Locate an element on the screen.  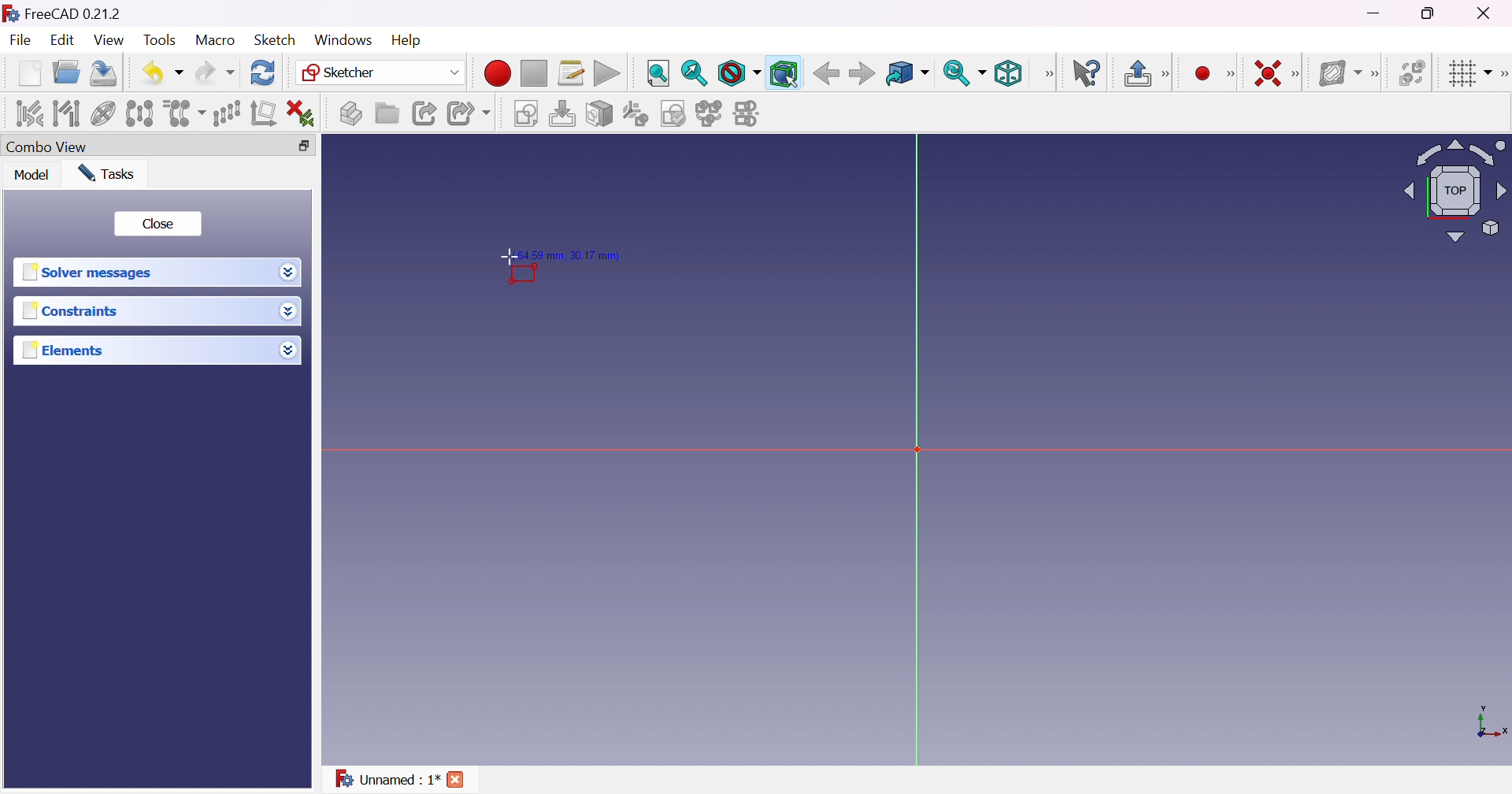
Edit is located at coordinates (63, 40).